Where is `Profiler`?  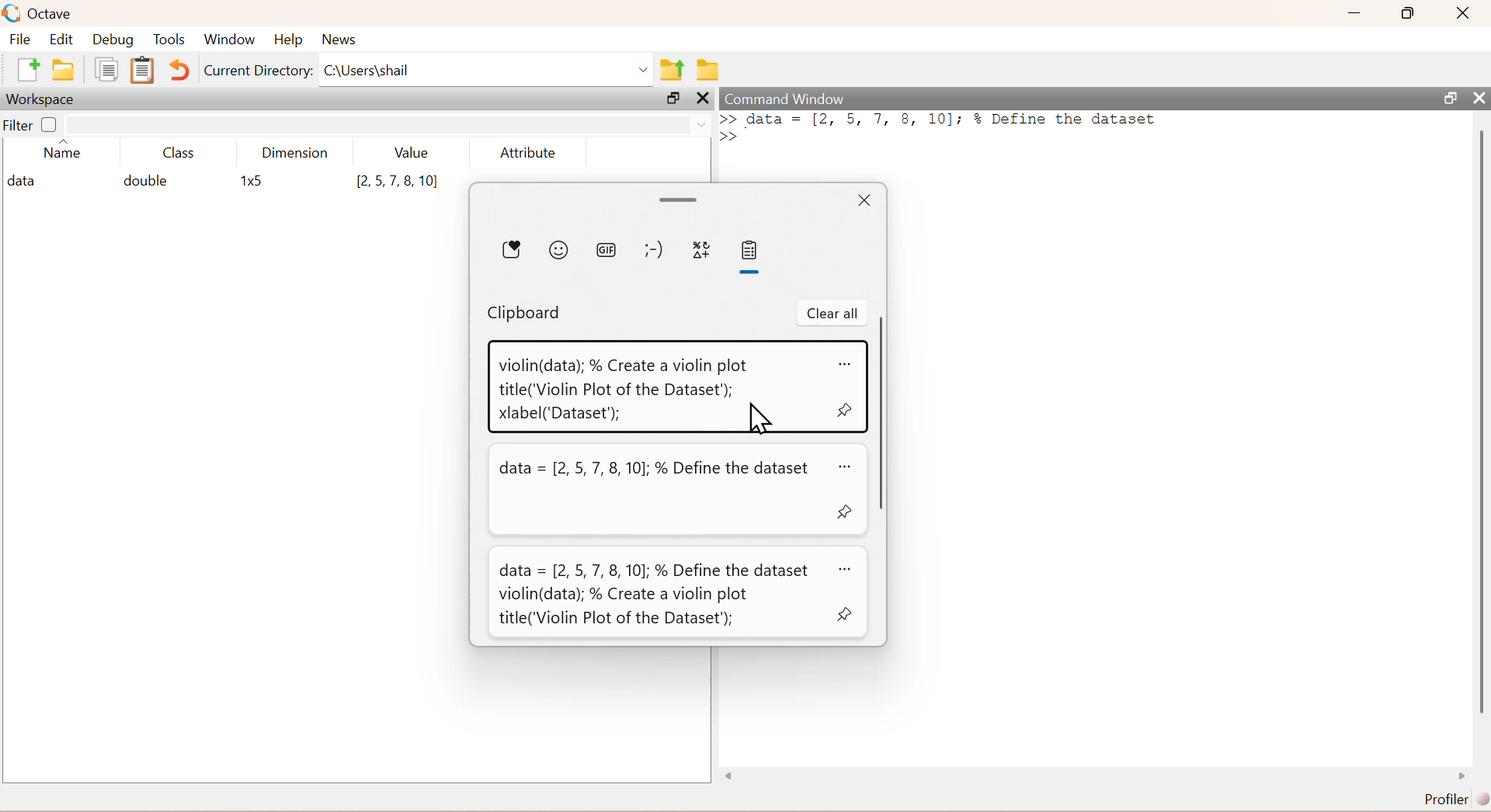 Profiler is located at coordinates (1457, 800).